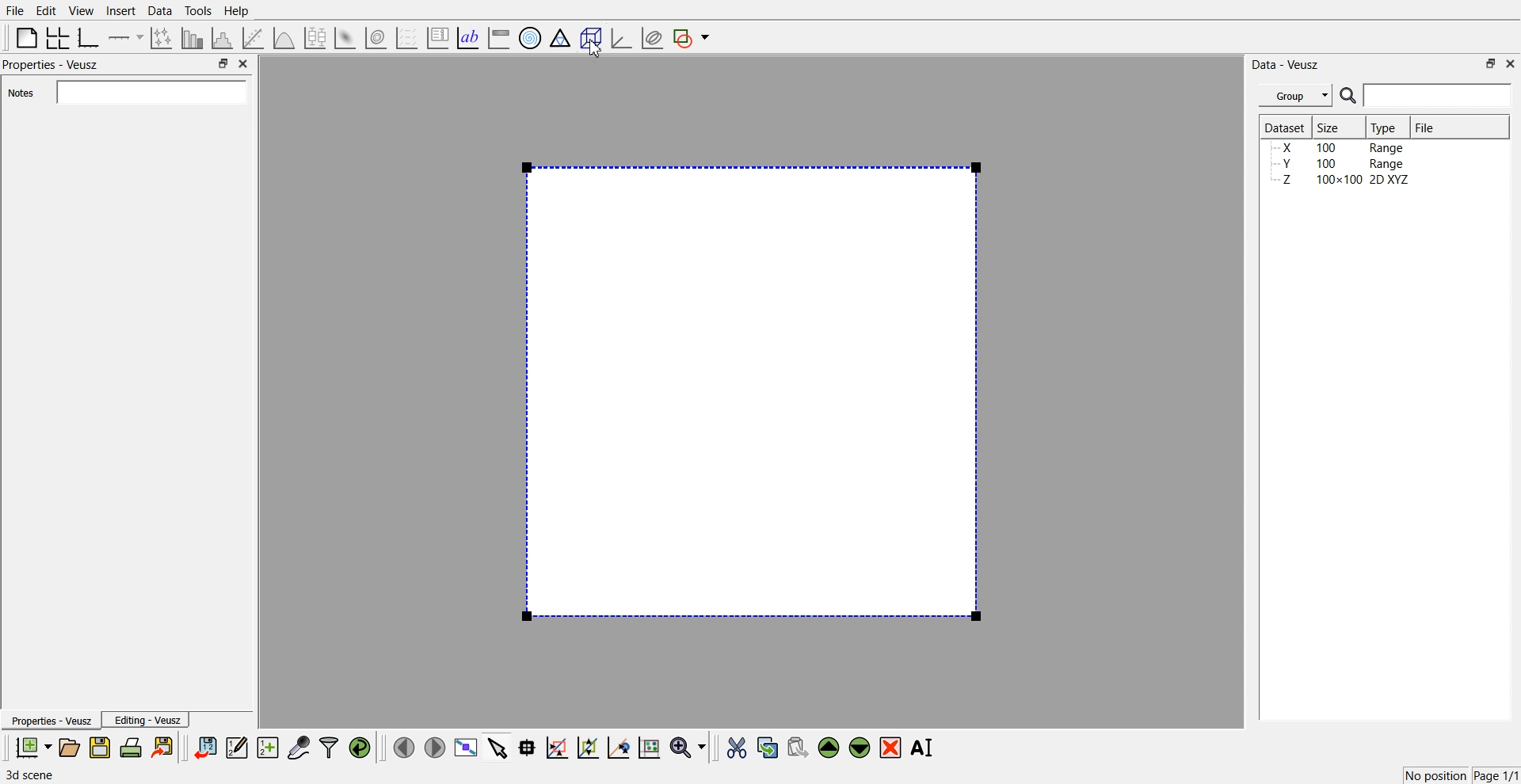  I want to click on Y 100 Range, so click(1341, 164).